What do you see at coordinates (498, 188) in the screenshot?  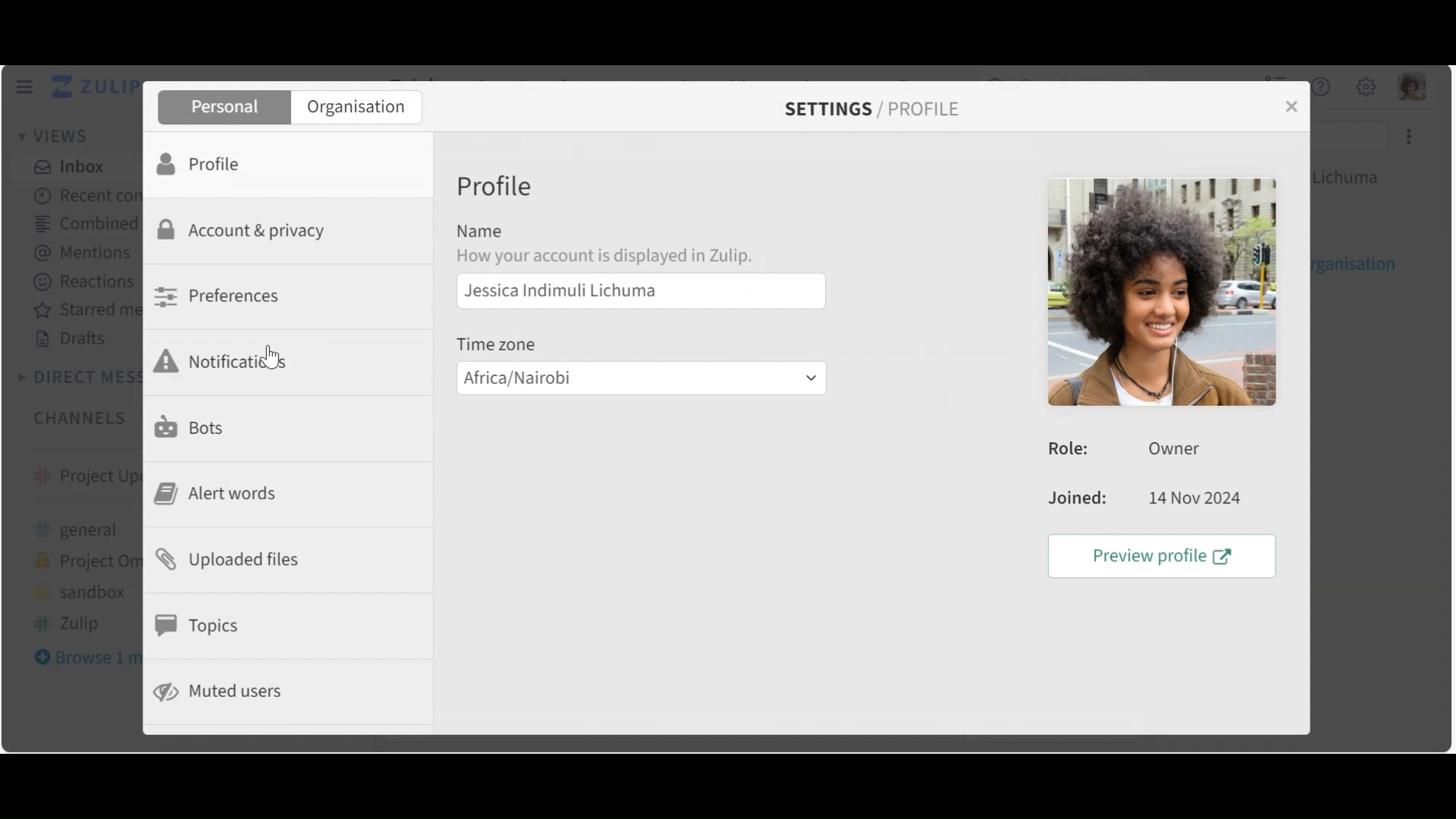 I see `Profile` at bounding box center [498, 188].